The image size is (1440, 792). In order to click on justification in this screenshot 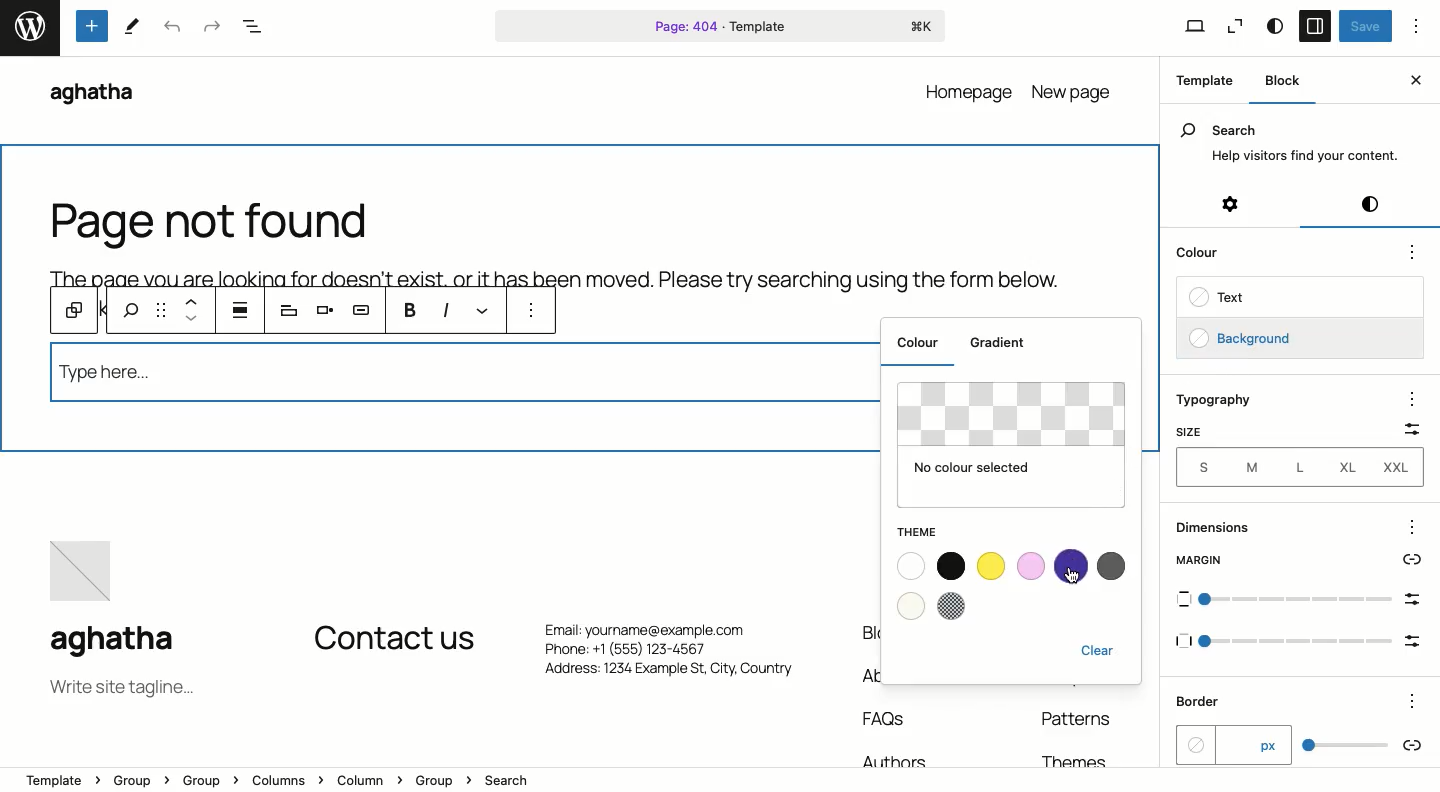, I will do `click(240, 311)`.